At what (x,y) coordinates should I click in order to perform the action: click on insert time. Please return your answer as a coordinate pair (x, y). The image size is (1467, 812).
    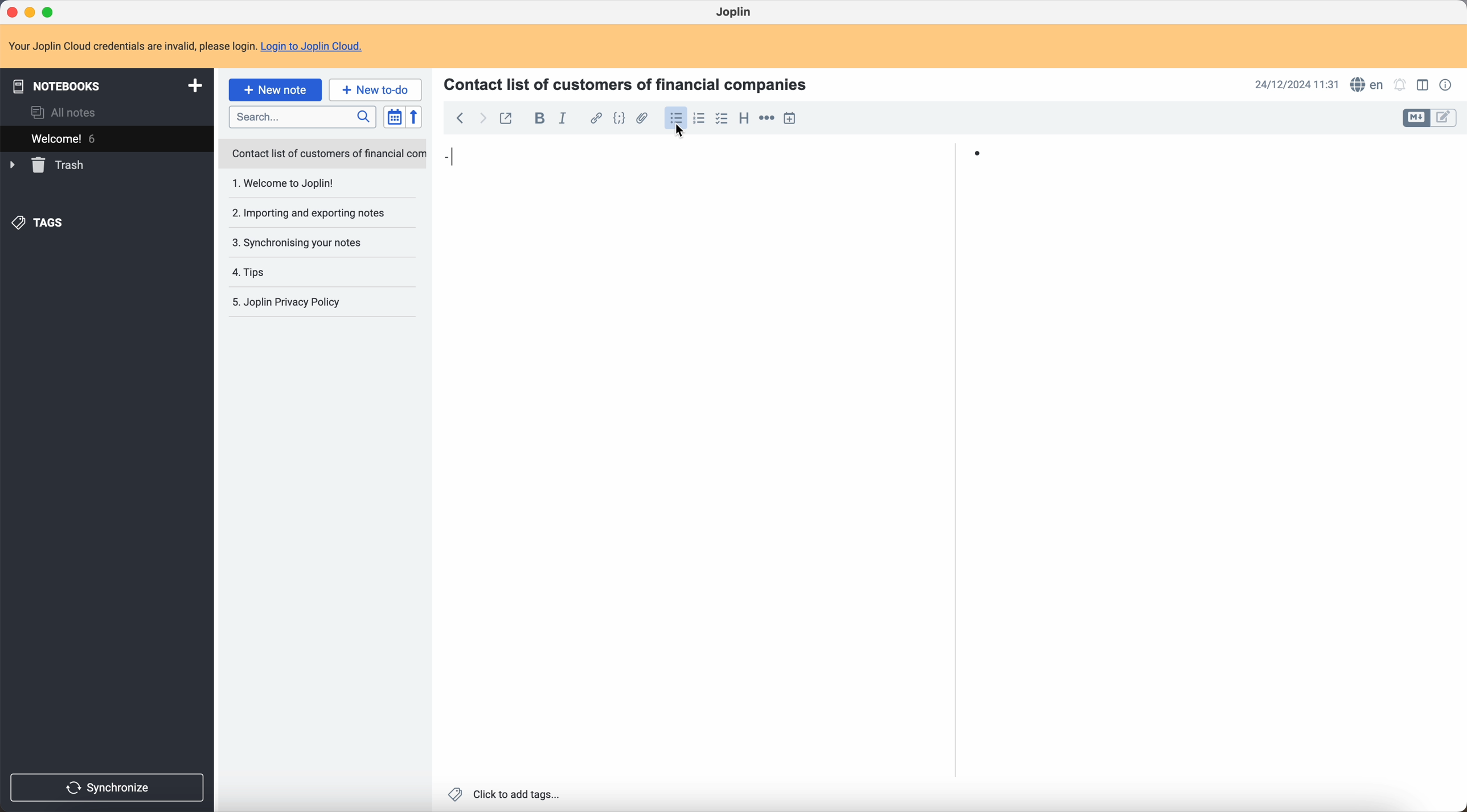
    Looking at the image, I should click on (789, 118).